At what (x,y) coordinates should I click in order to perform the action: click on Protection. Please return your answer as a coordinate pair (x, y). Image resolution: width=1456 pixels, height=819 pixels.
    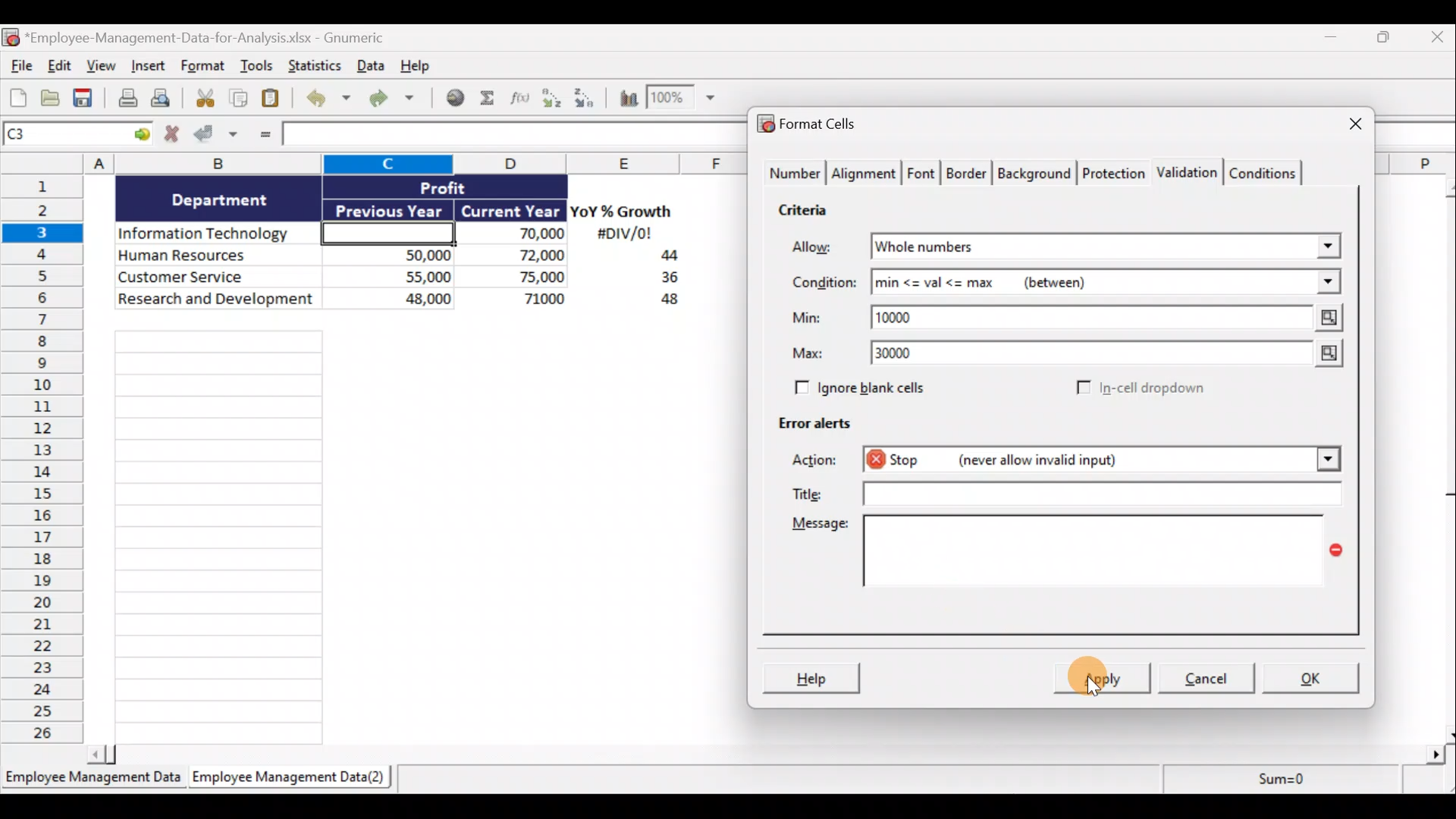
    Looking at the image, I should click on (1113, 171).